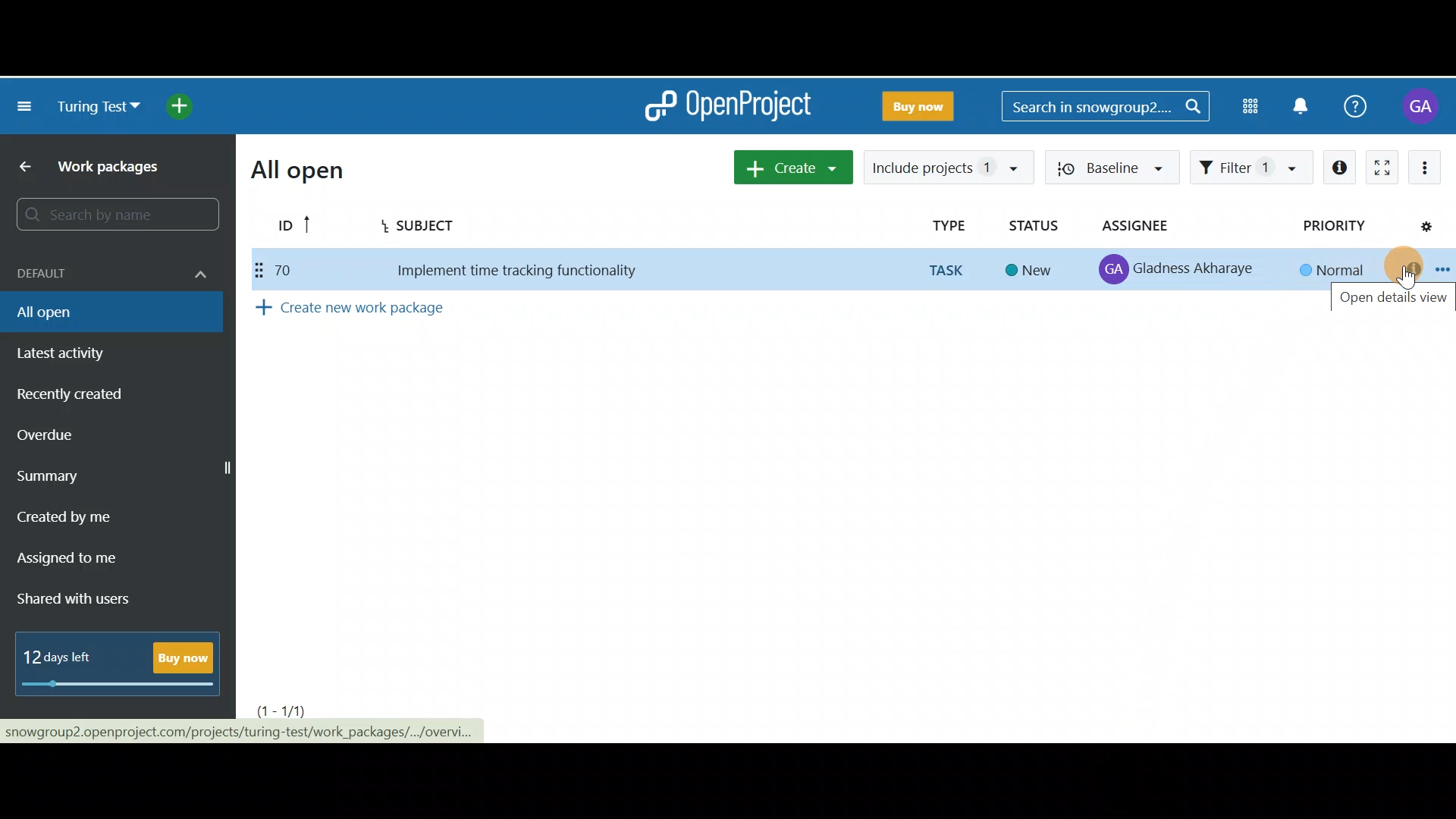  Describe the element at coordinates (115, 170) in the screenshot. I see `Work packages` at that location.